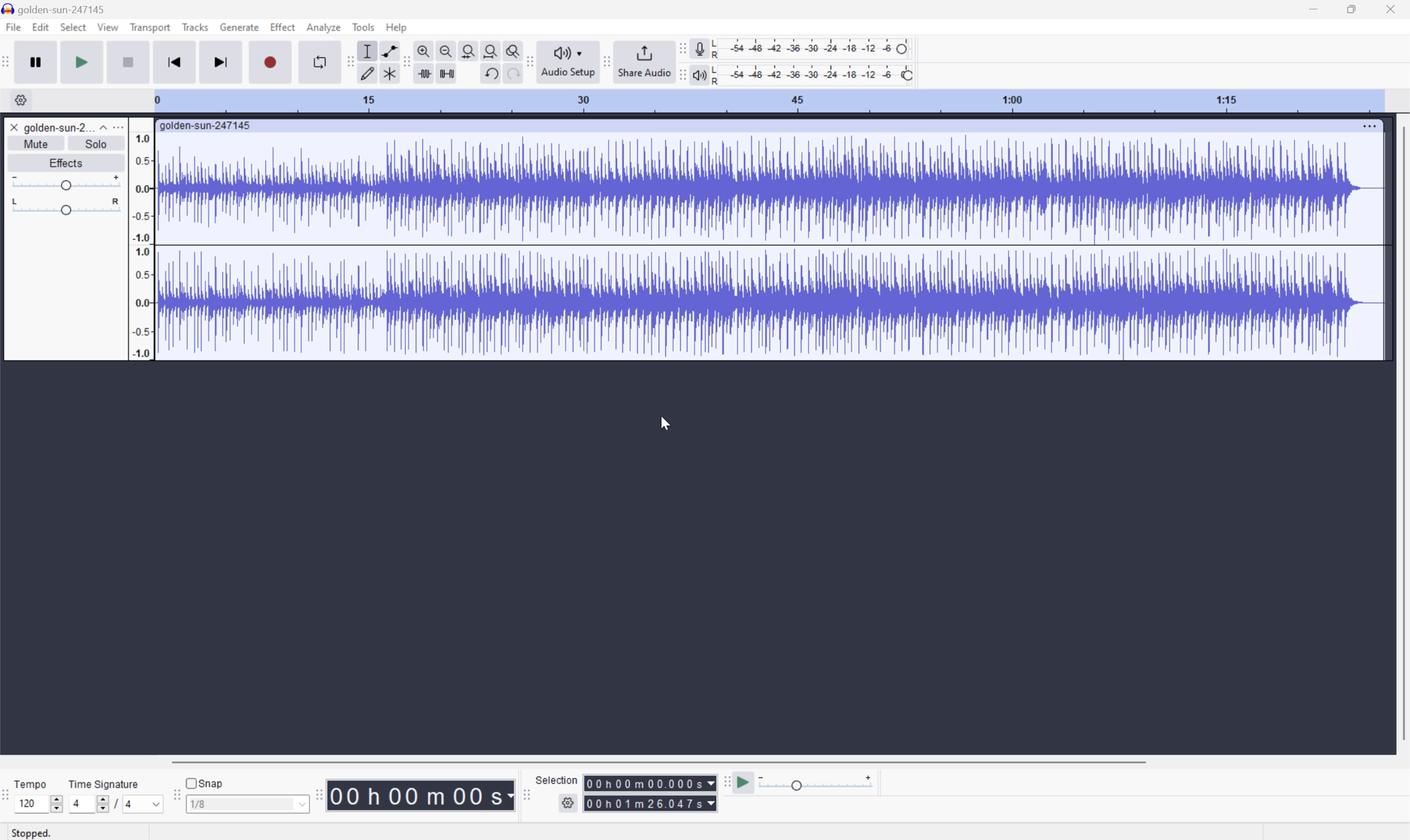  What do you see at coordinates (682, 74) in the screenshot?
I see `Audacity playback meter toolbar` at bounding box center [682, 74].